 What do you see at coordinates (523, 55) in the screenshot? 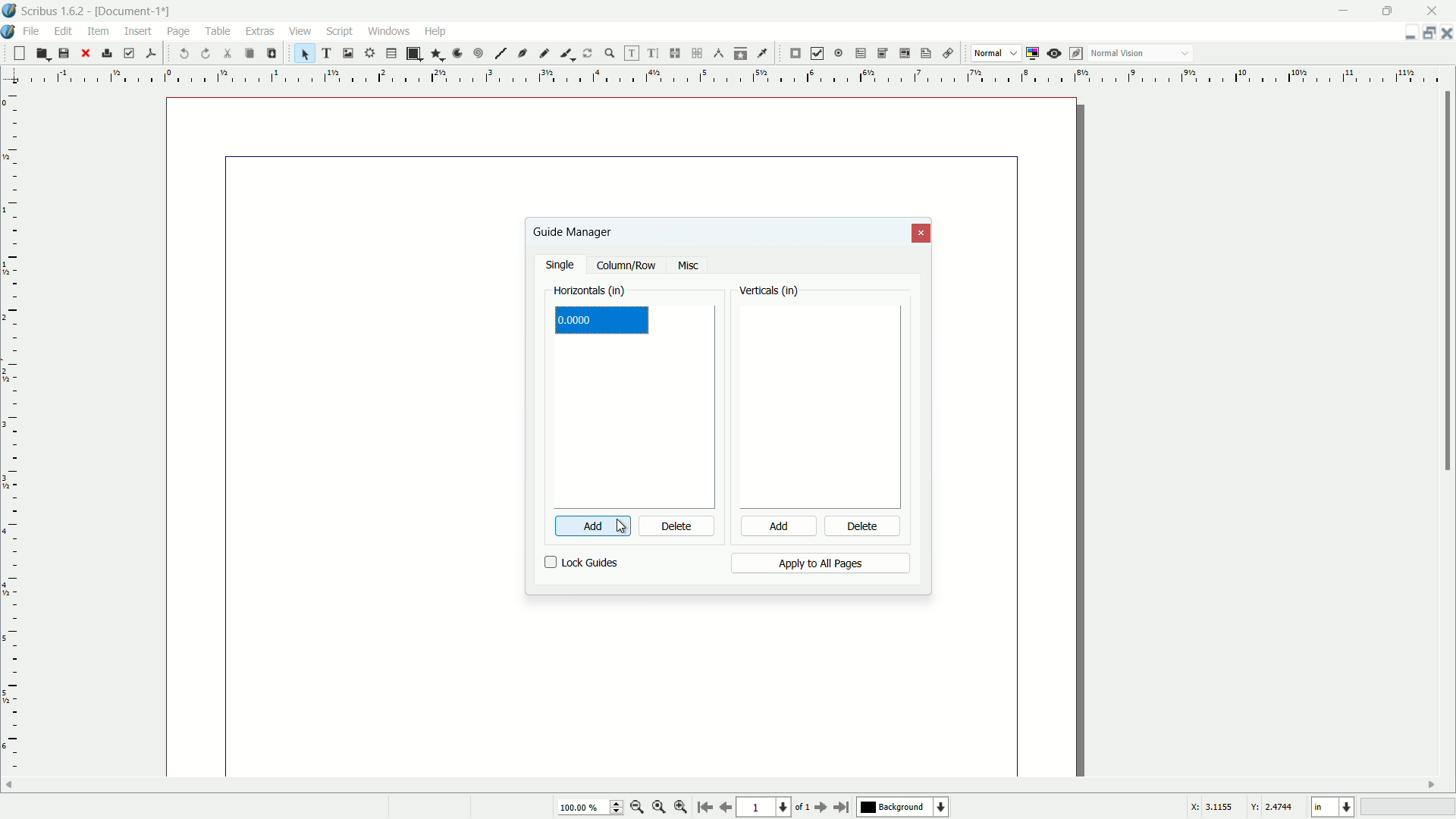
I see `bezier curve` at bounding box center [523, 55].